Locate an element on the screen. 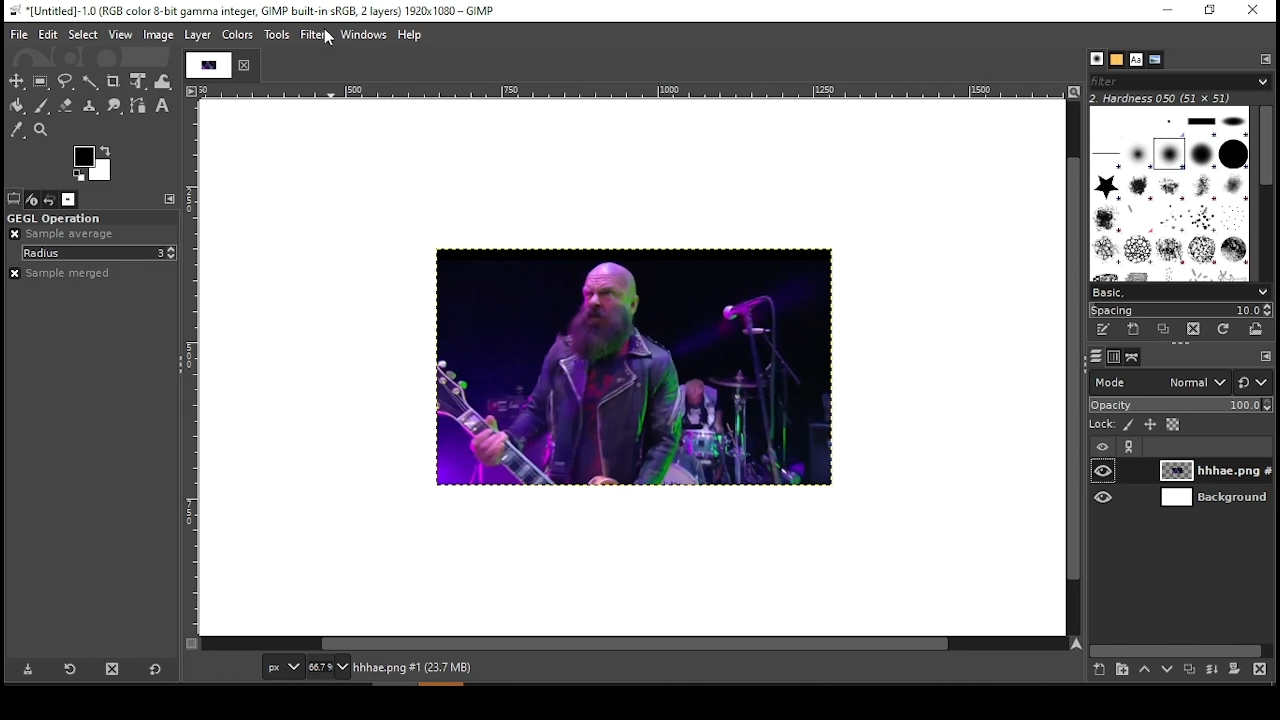 The image size is (1280, 720). refresh brushes is located at coordinates (1228, 332).